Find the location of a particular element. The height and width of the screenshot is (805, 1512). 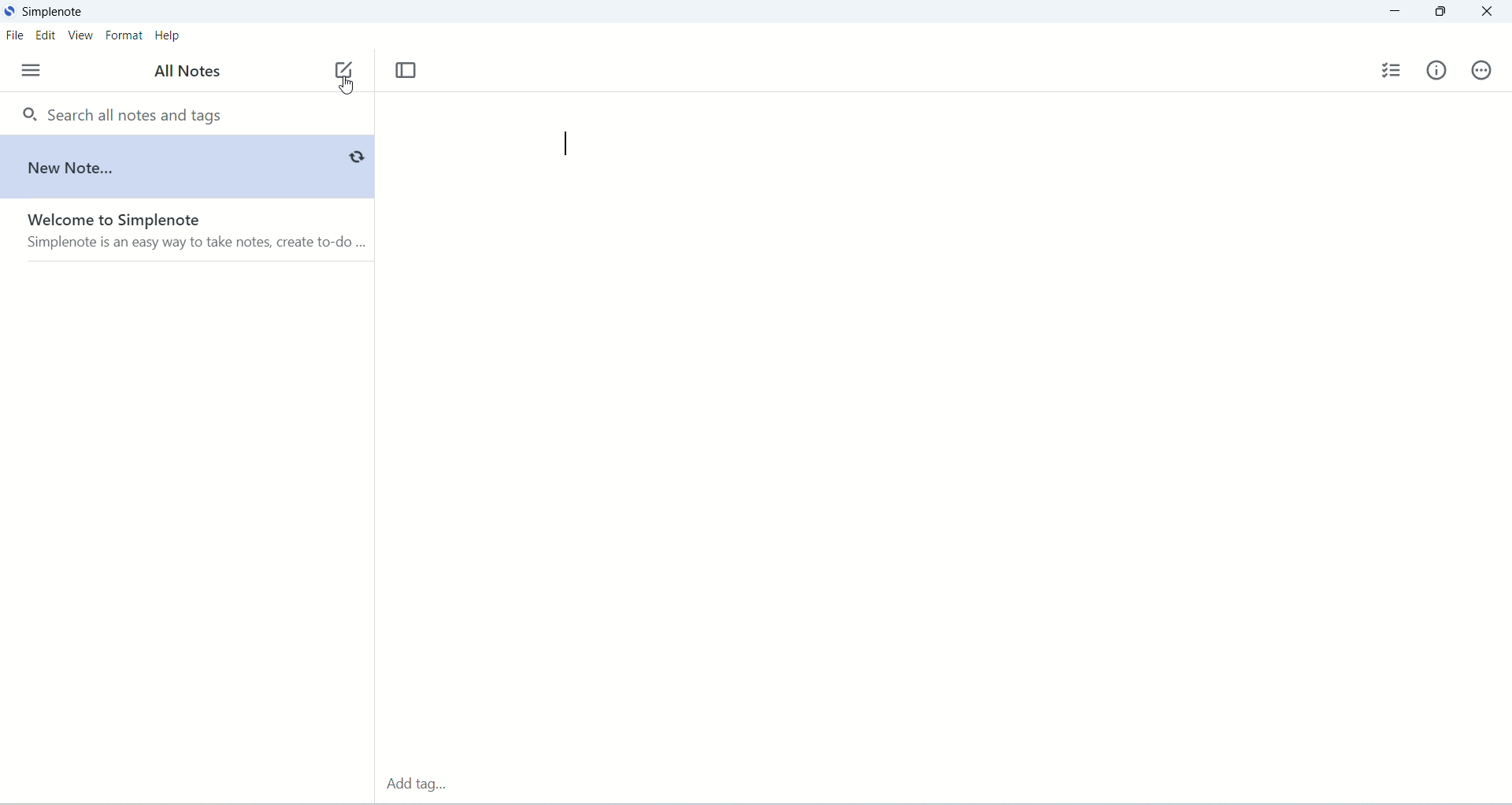

new note is located at coordinates (346, 68).